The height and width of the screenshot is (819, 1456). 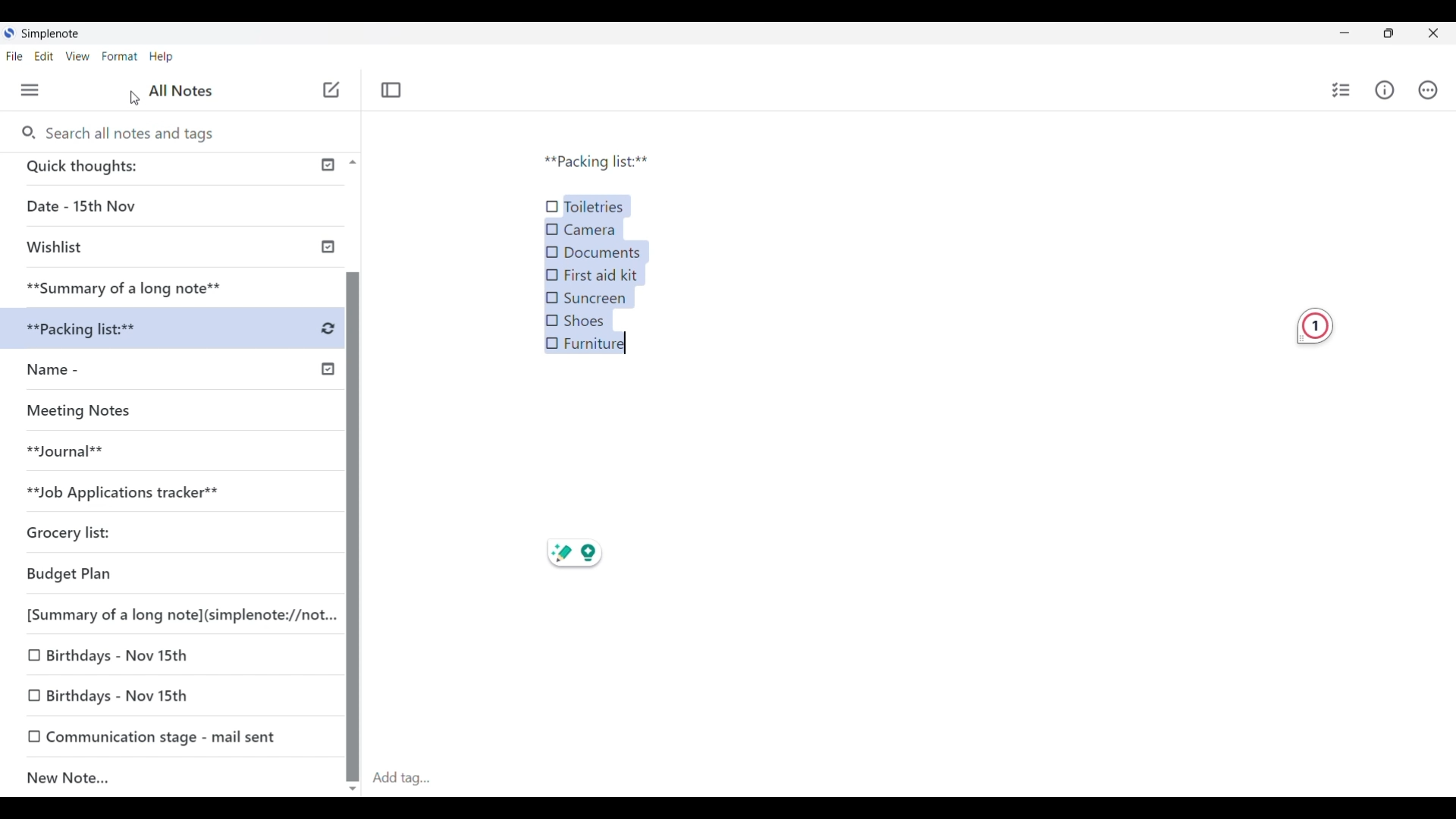 I want to click on Grocery list, so click(x=133, y=529).